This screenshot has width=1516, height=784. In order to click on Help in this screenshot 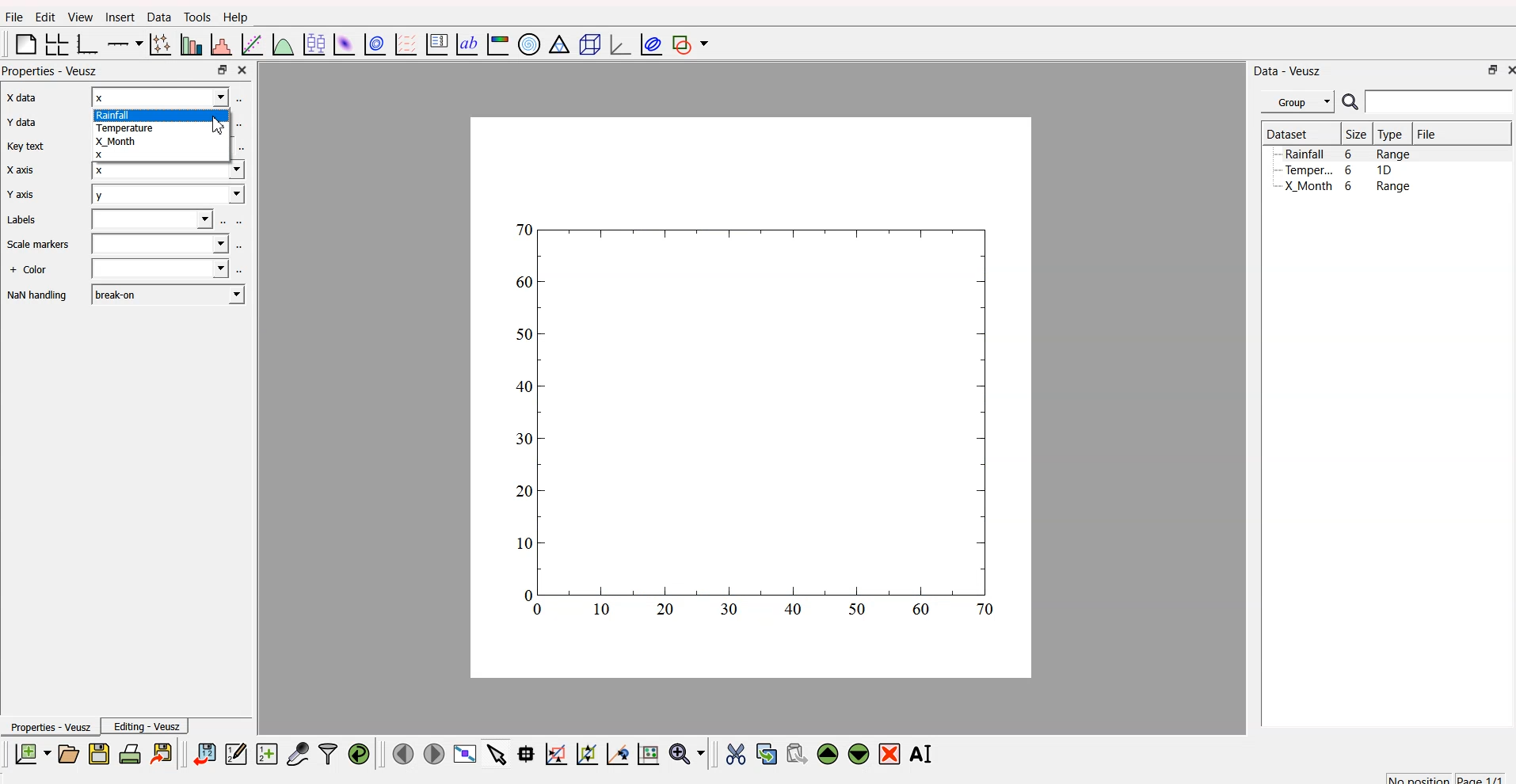, I will do `click(235, 17)`.